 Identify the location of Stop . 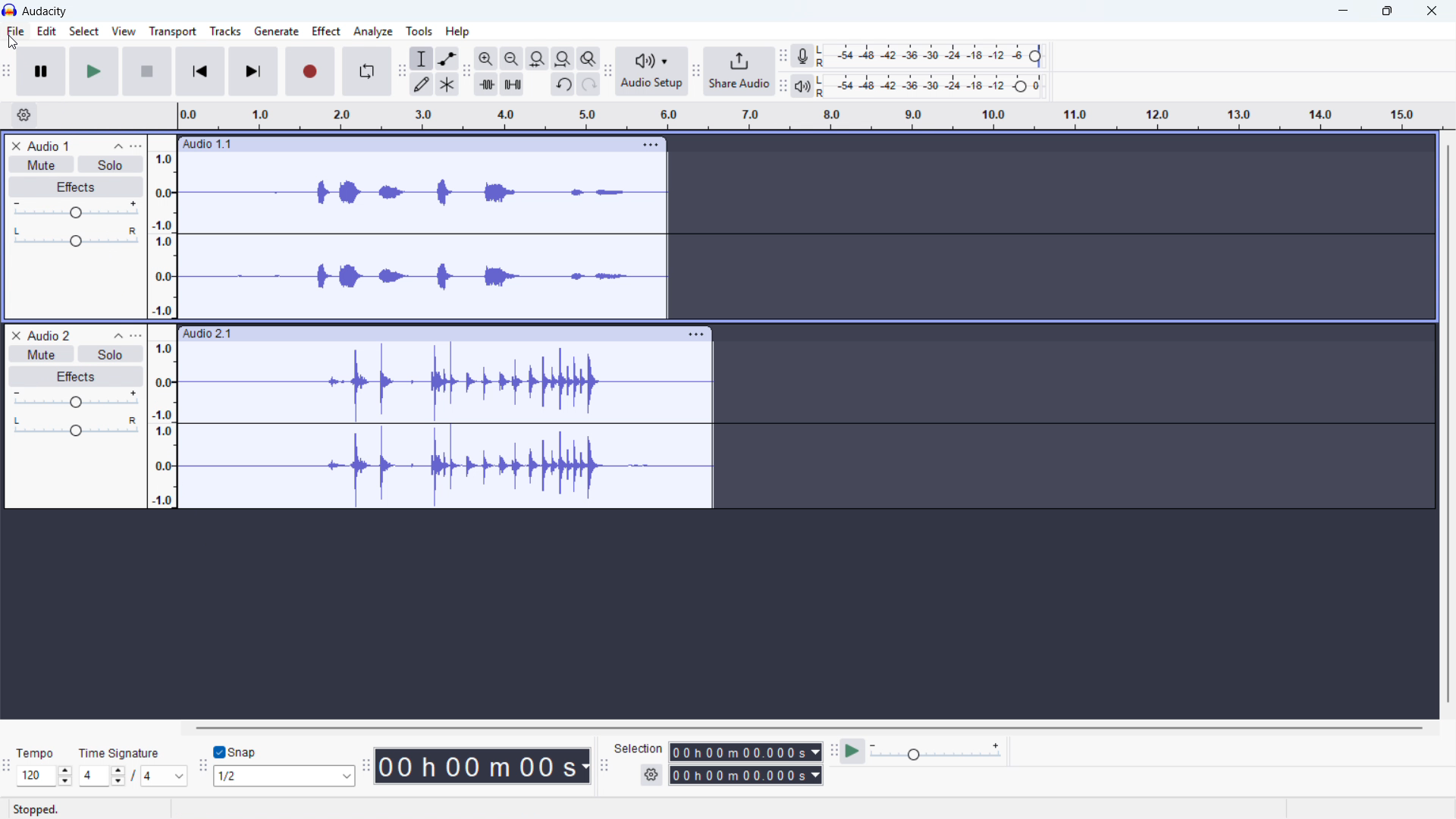
(146, 71).